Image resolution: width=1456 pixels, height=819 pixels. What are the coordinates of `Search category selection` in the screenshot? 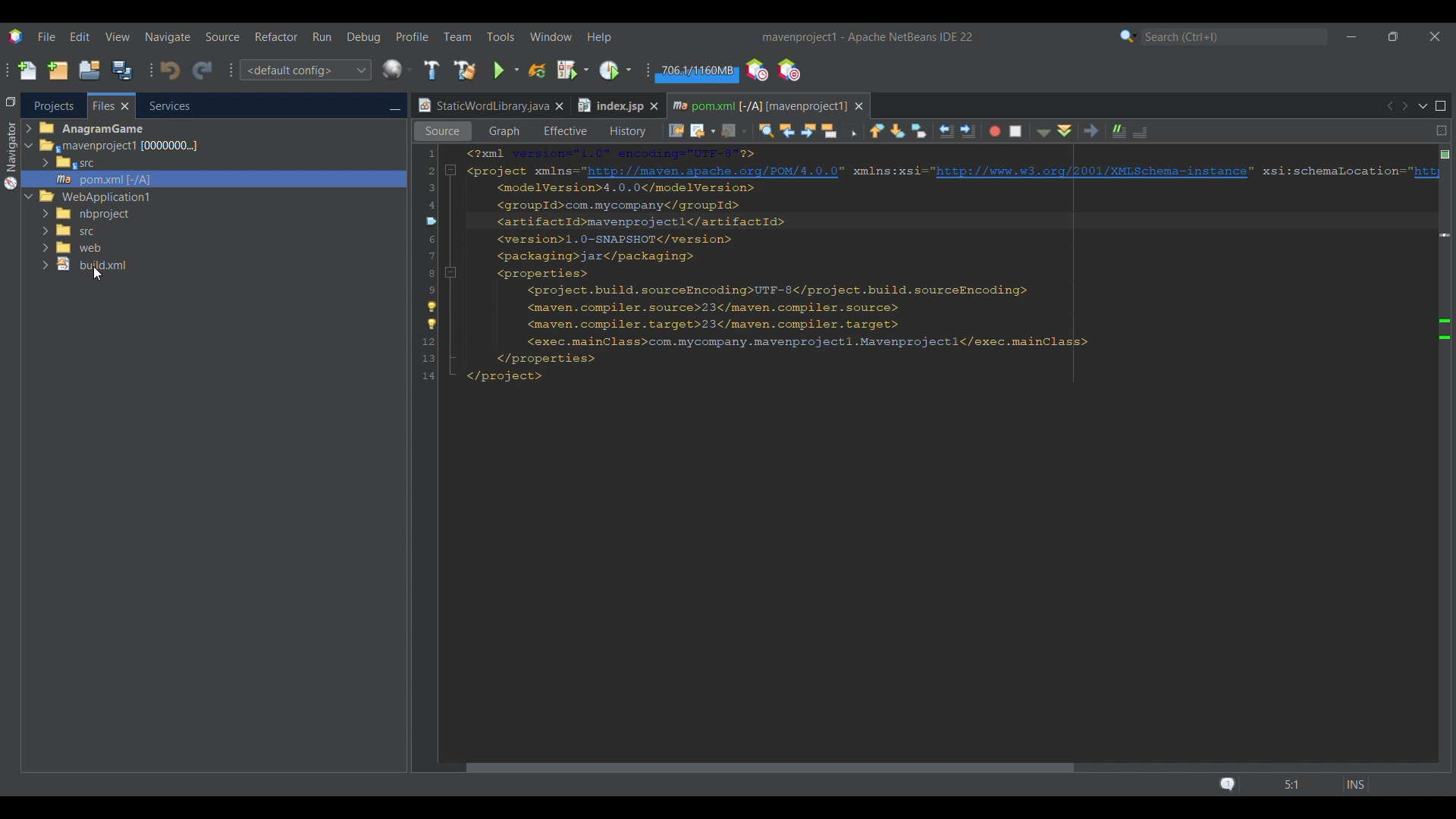 It's located at (1128, 36).